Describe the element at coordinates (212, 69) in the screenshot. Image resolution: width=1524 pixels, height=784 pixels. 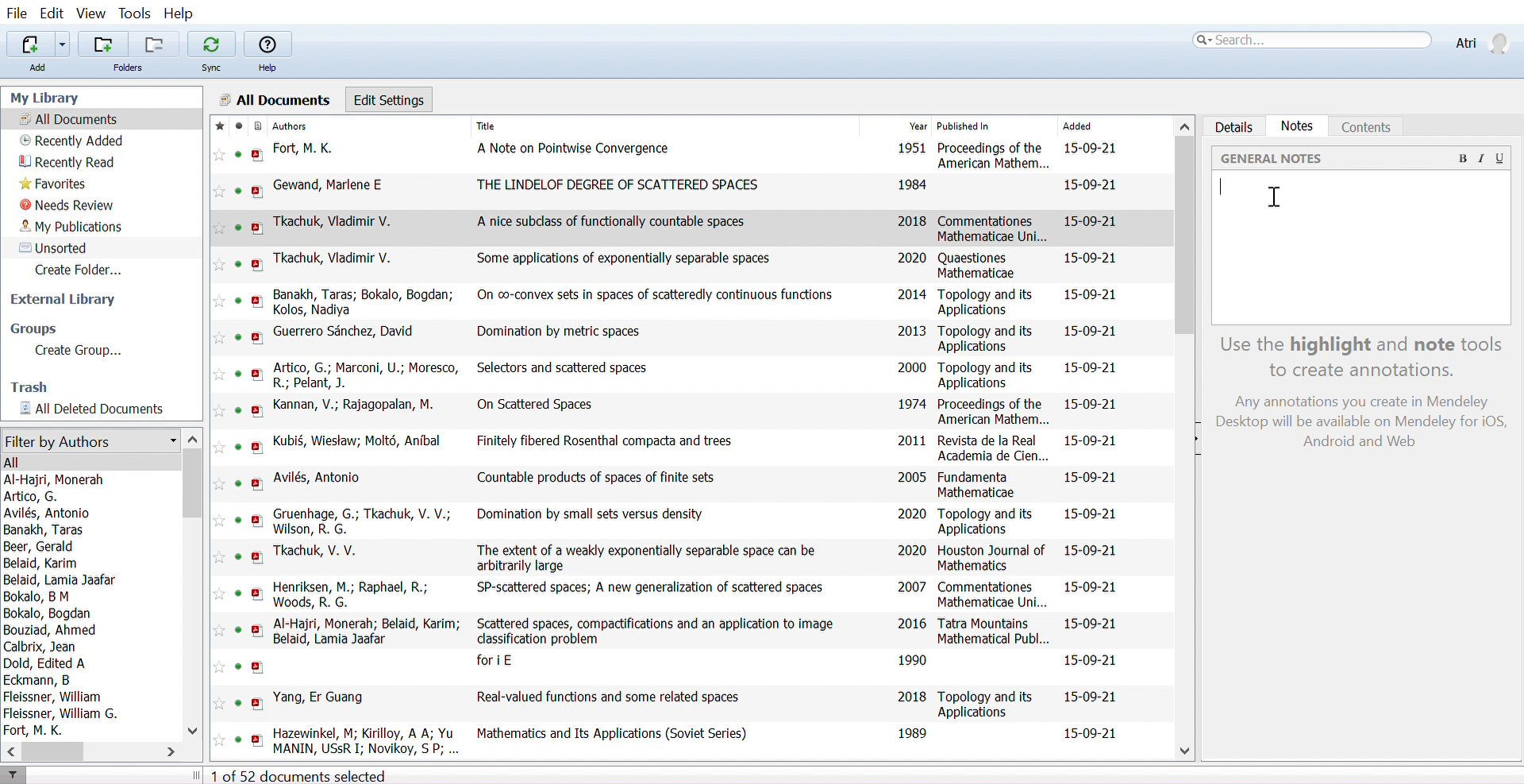
I see `Sync` at that location.